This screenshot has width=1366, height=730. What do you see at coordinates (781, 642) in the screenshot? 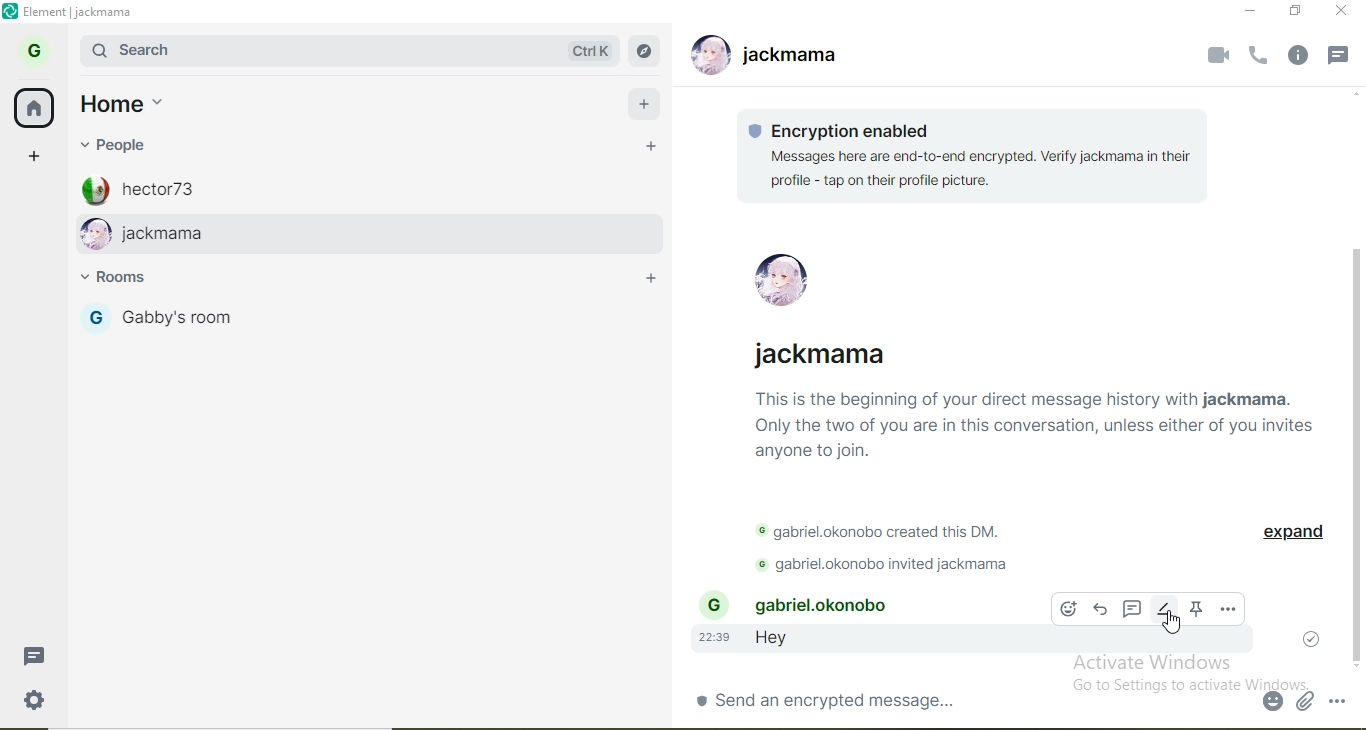
I see `hey` at bounding box center [781, 642].